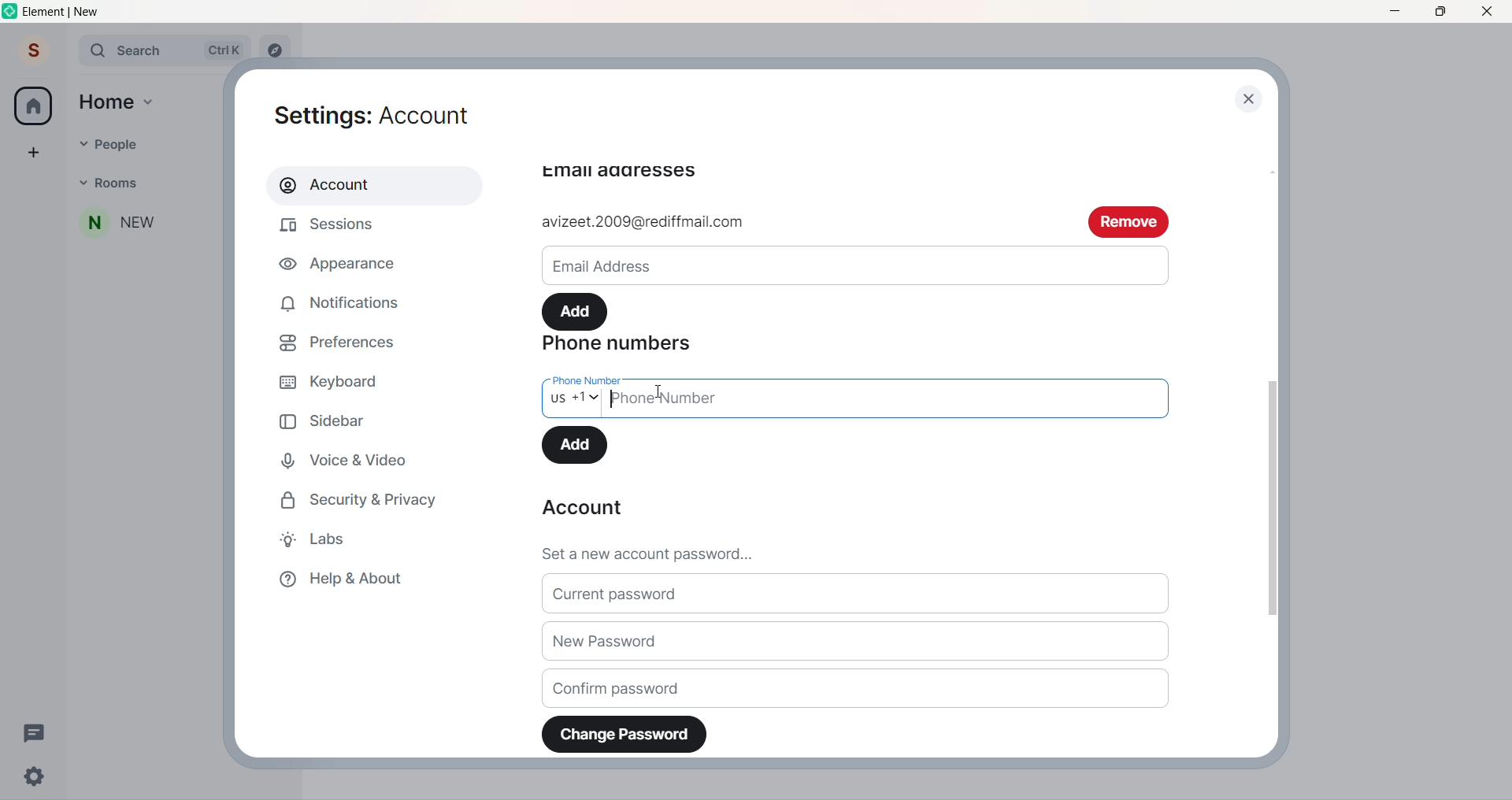 The width and height of the screenshot is (1512, 800). What do you see at coordinates (1488, 12) in the screenshot?
I see `Close` at bounding box center [1488, 12].